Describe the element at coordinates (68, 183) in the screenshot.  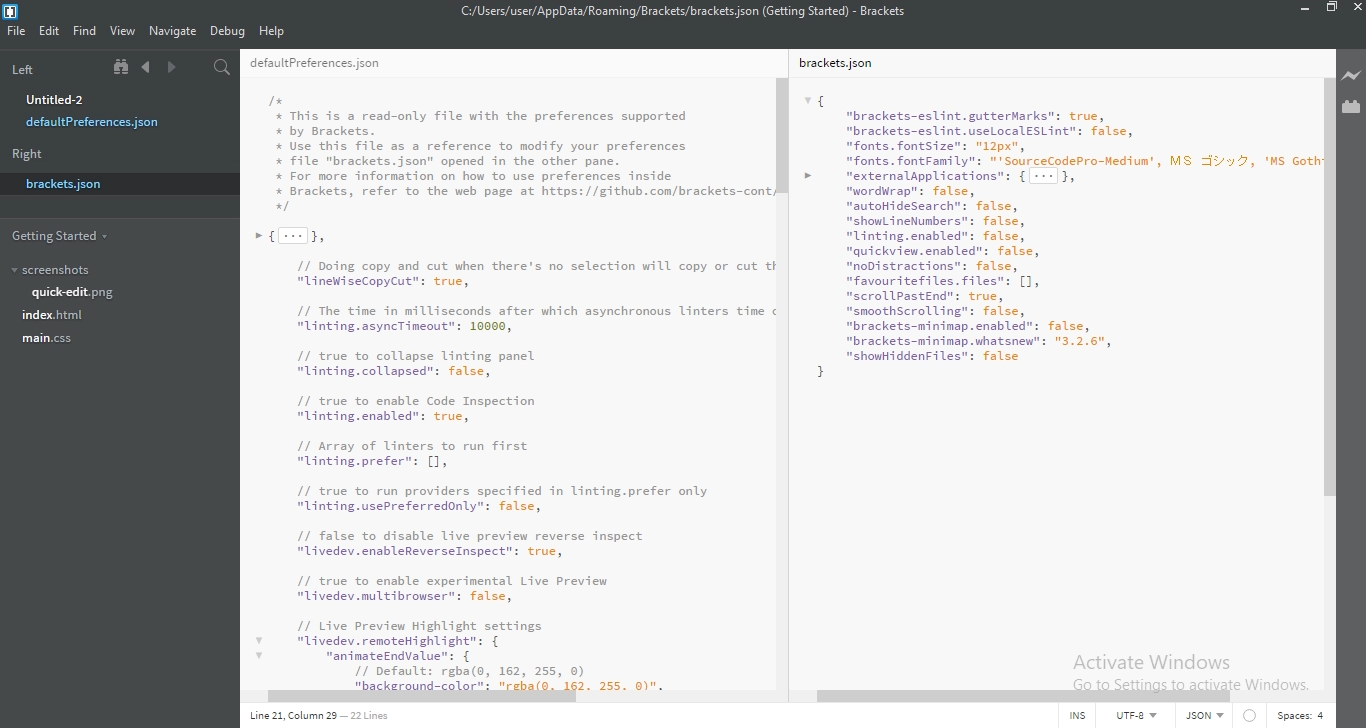
I see `brackets.json` at that location.